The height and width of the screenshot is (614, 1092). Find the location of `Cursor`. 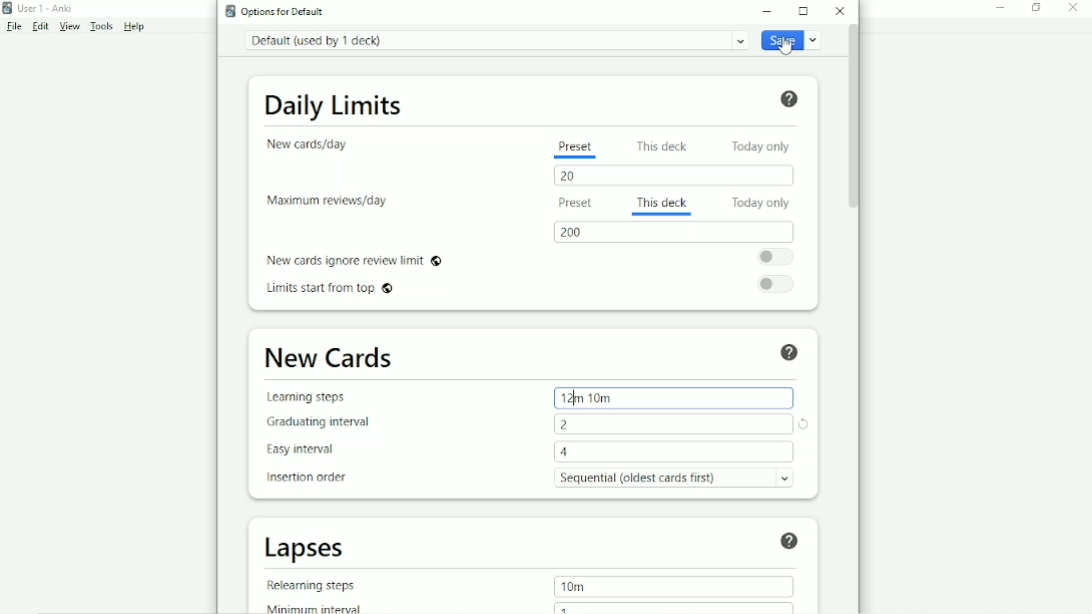

Cursor is located at coordinates (784, 47).